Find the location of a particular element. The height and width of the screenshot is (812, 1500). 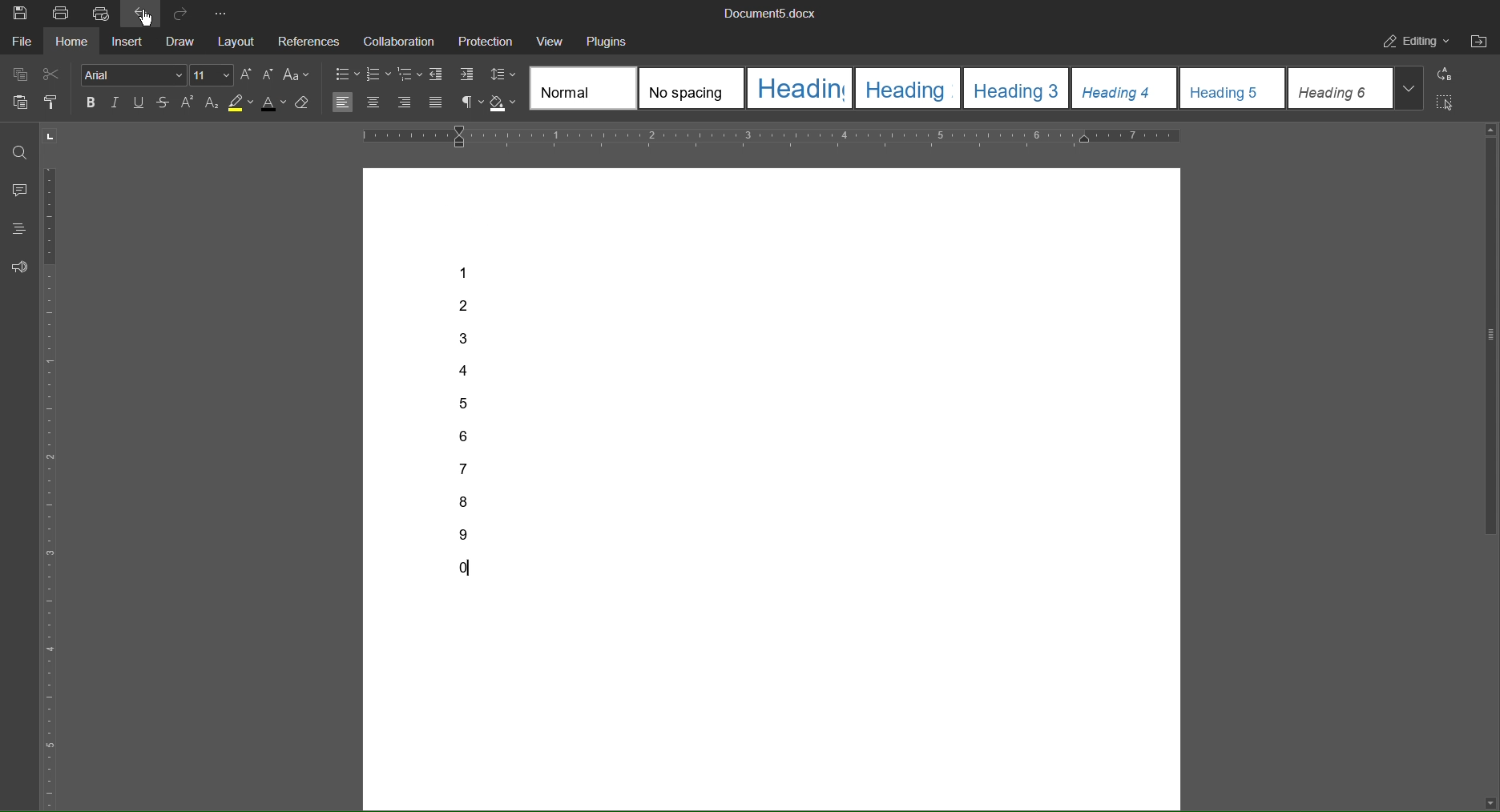

Font is located at coordinates (134, 74).